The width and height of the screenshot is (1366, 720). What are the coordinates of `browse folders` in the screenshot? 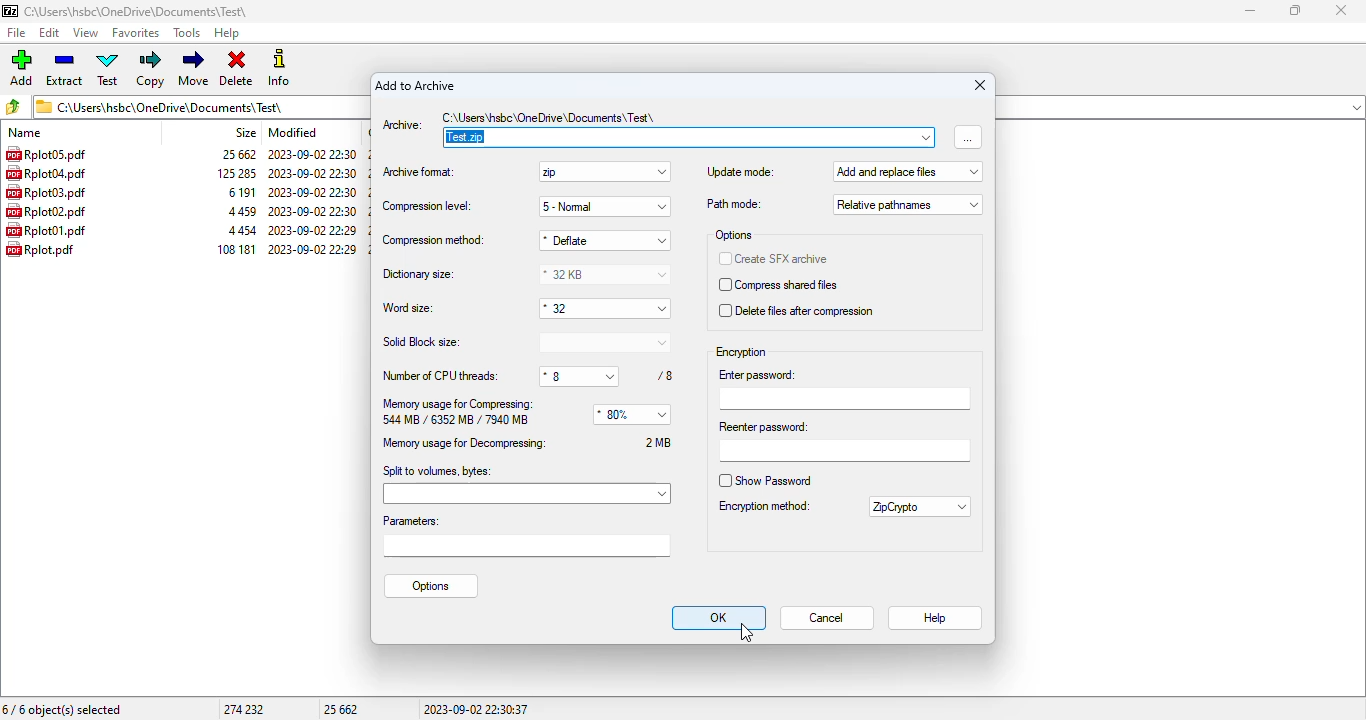 It's located at (15, 106).